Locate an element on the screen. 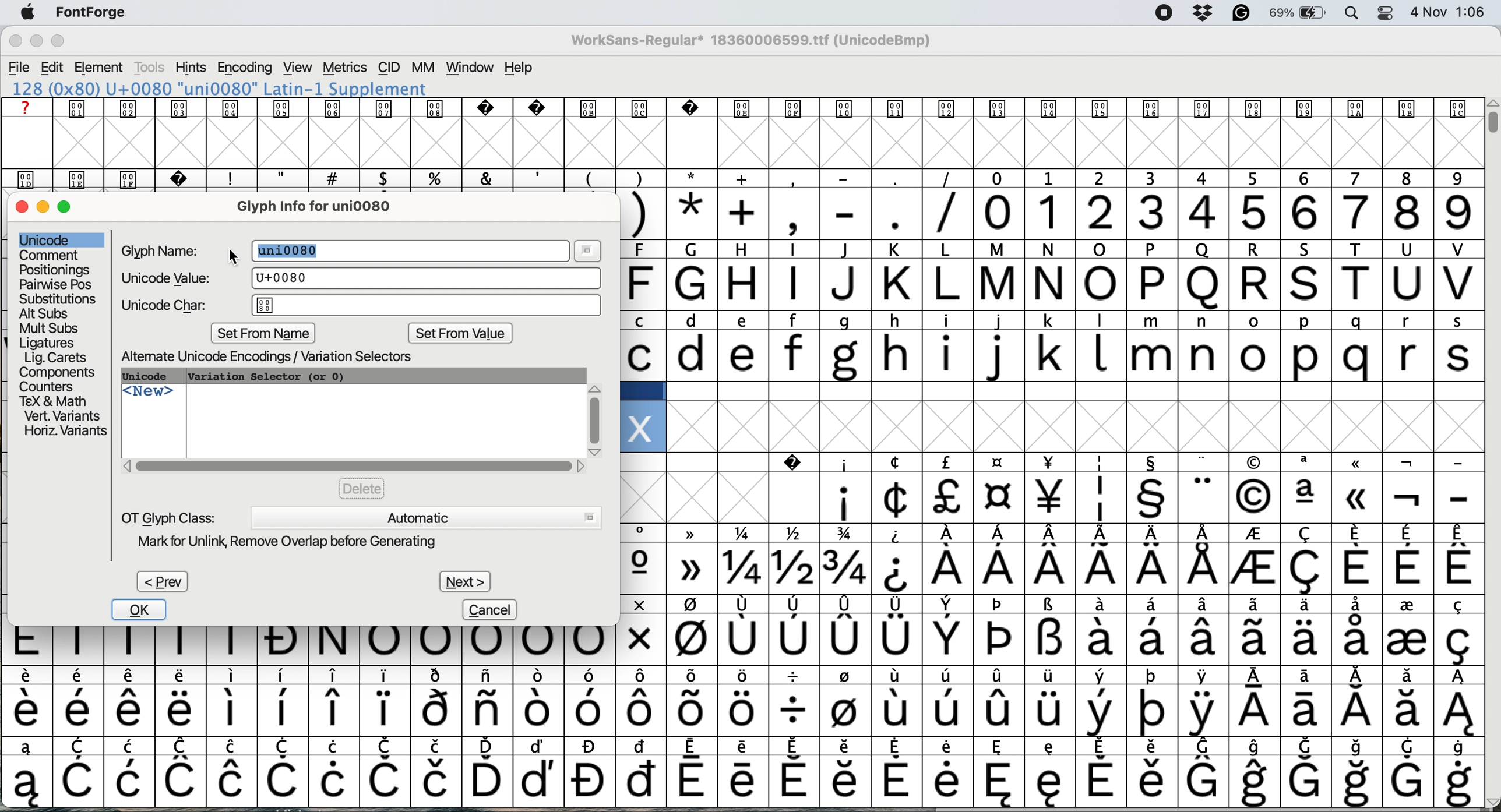 Image resolution: width=1501 pixels, height=812 pixels. special characters is located at coordinates (739, 781).